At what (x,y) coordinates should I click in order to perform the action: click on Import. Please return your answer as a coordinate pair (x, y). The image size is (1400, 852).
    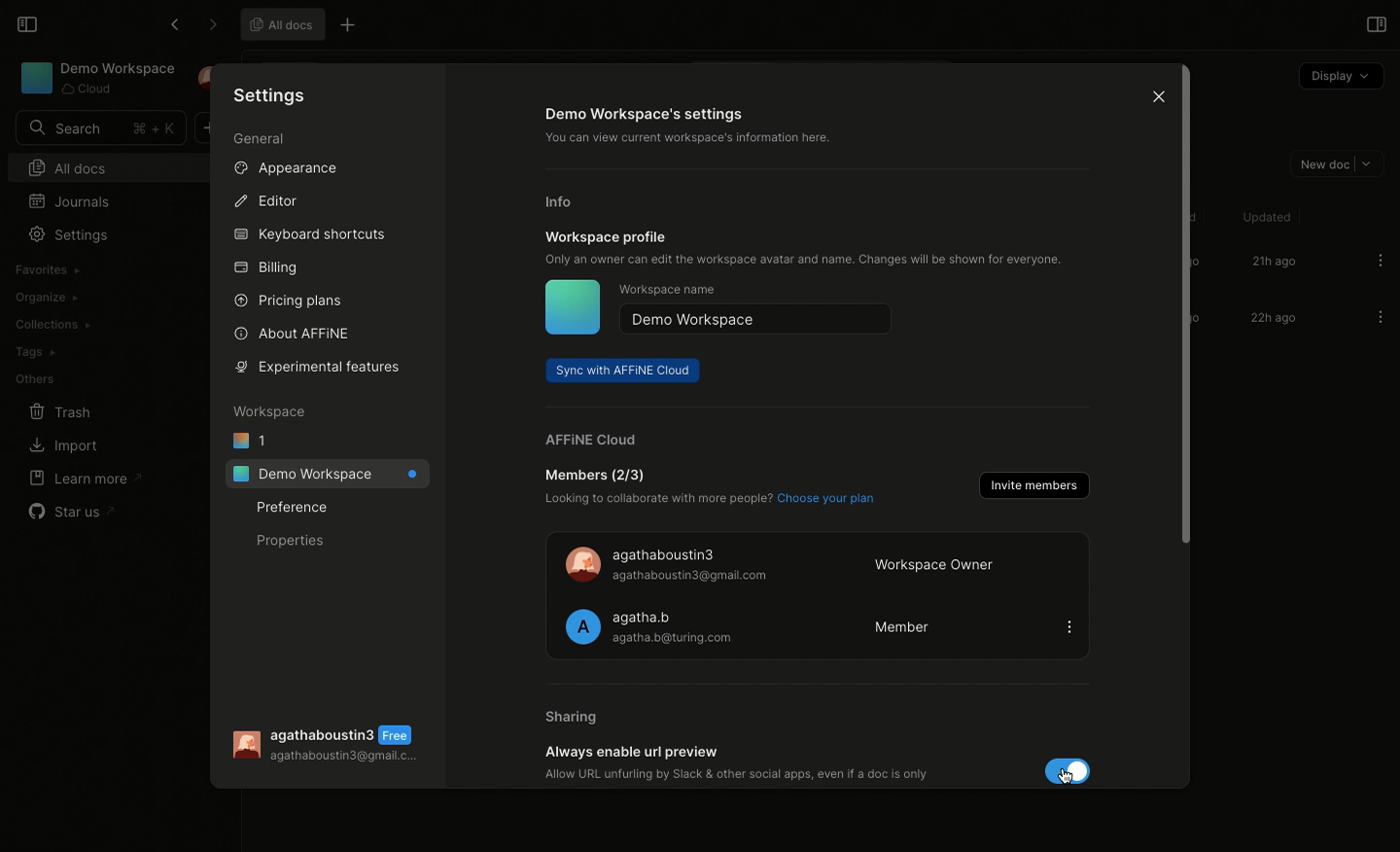
    Looking at the image, I should click on (61, 447).